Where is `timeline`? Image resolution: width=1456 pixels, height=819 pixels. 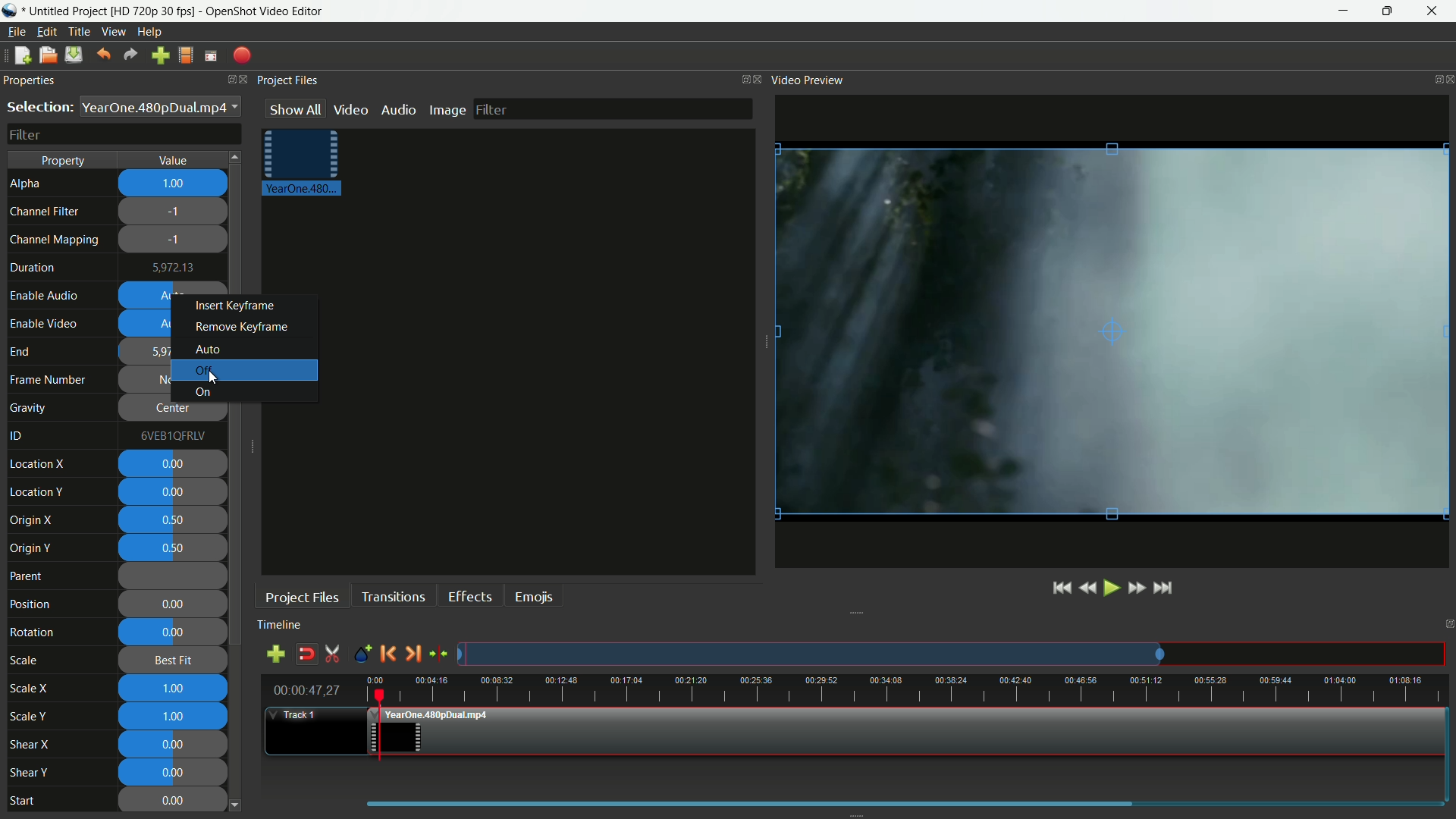 timeline is located at coordinates (284, 625).